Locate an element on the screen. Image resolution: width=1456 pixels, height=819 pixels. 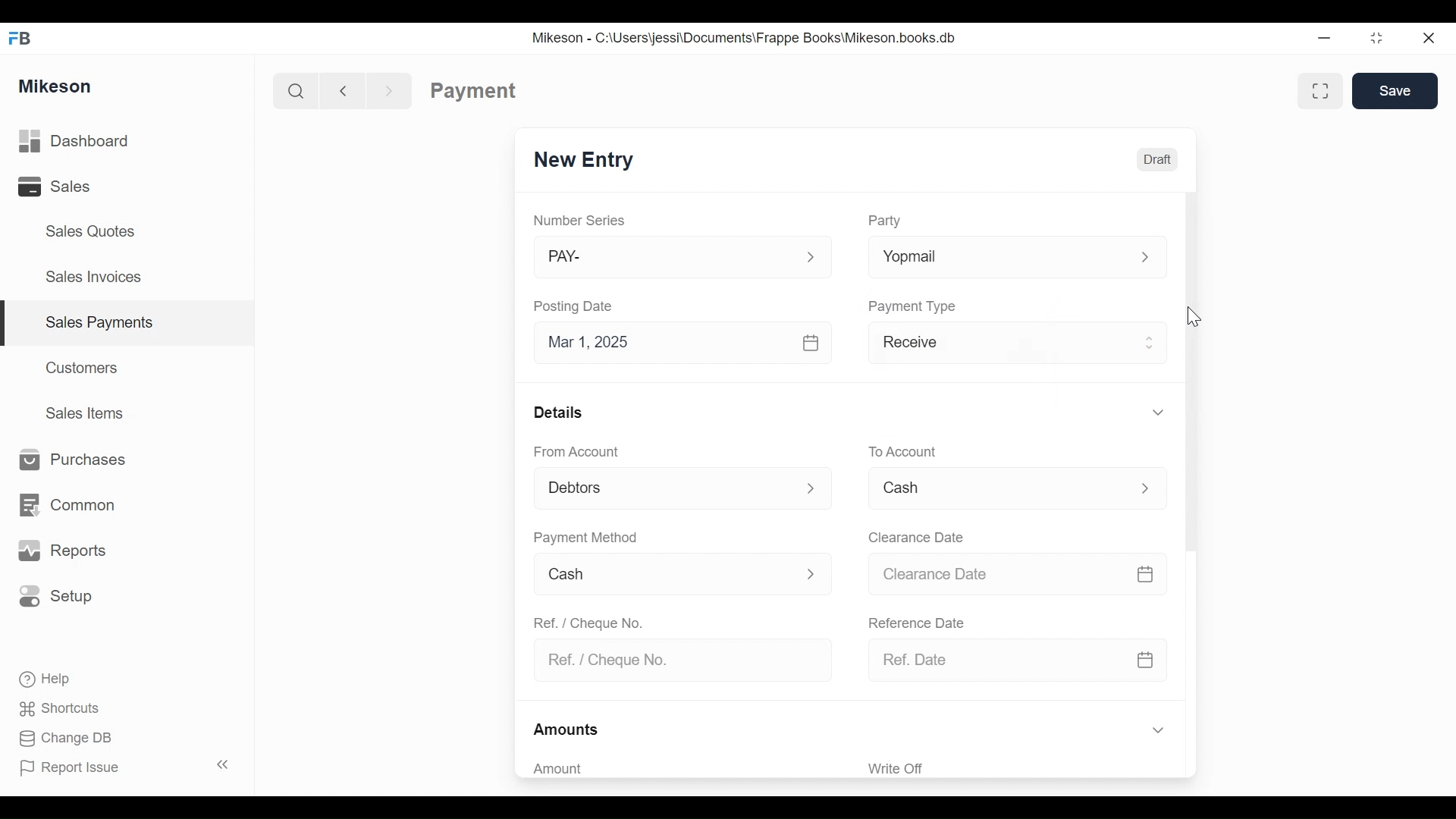
Ref. Date is located at coordinates (1018, 657).